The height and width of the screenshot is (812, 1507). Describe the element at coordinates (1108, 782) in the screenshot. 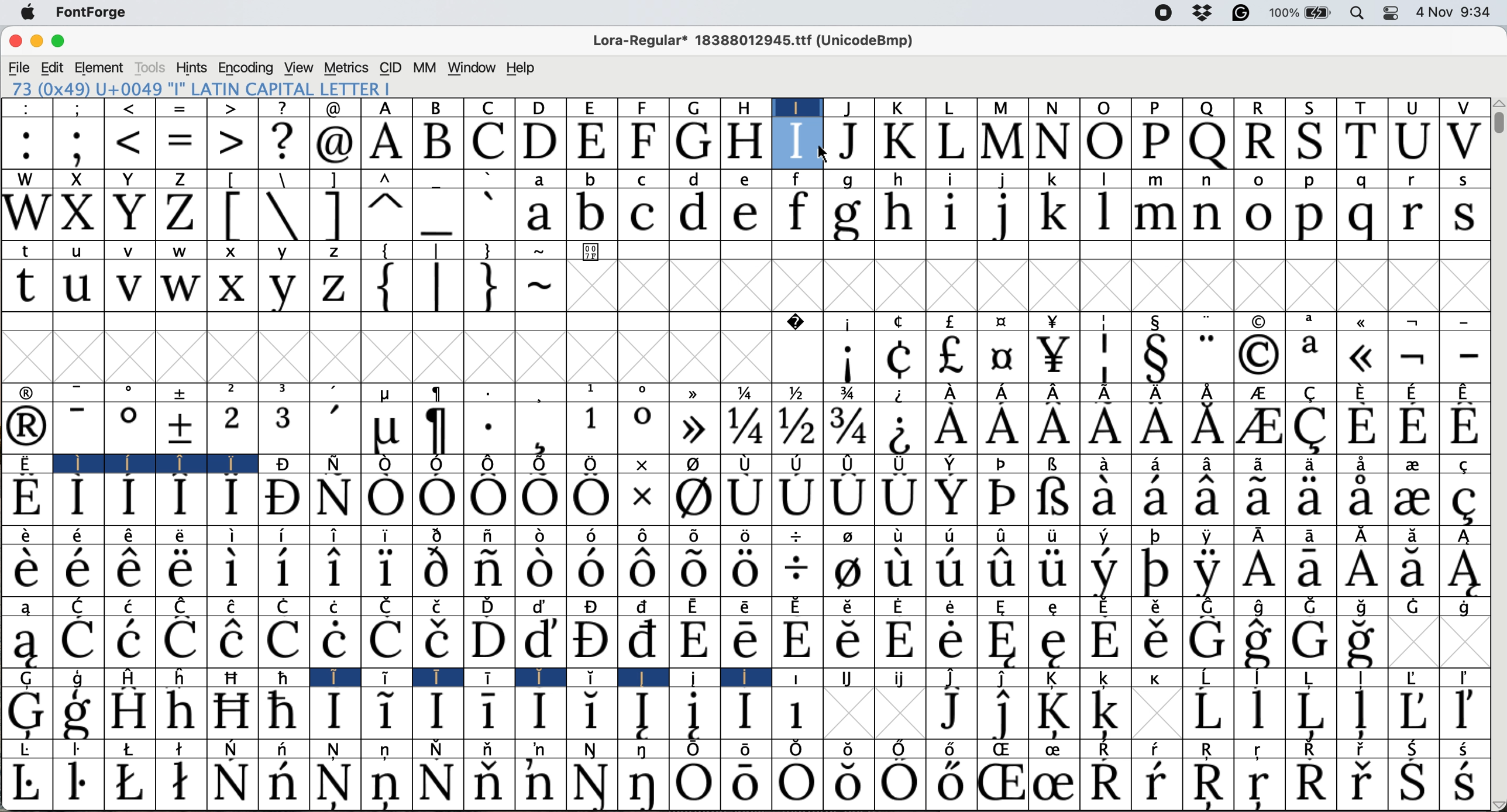

I see `Symbol` at that location.